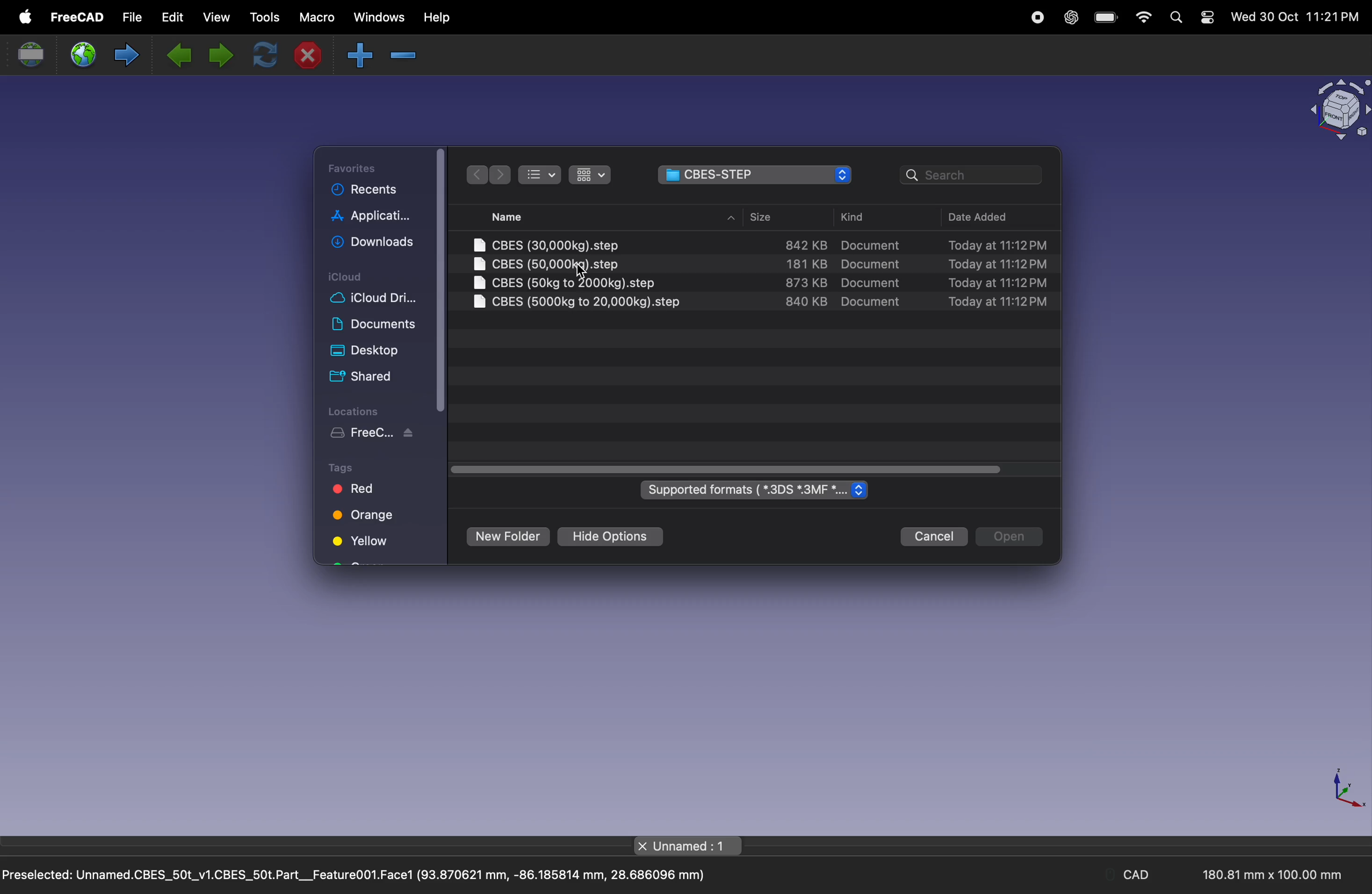 The height and width of the screenshot is (894, 1372). I want to click on battery, so click(1105, 18).